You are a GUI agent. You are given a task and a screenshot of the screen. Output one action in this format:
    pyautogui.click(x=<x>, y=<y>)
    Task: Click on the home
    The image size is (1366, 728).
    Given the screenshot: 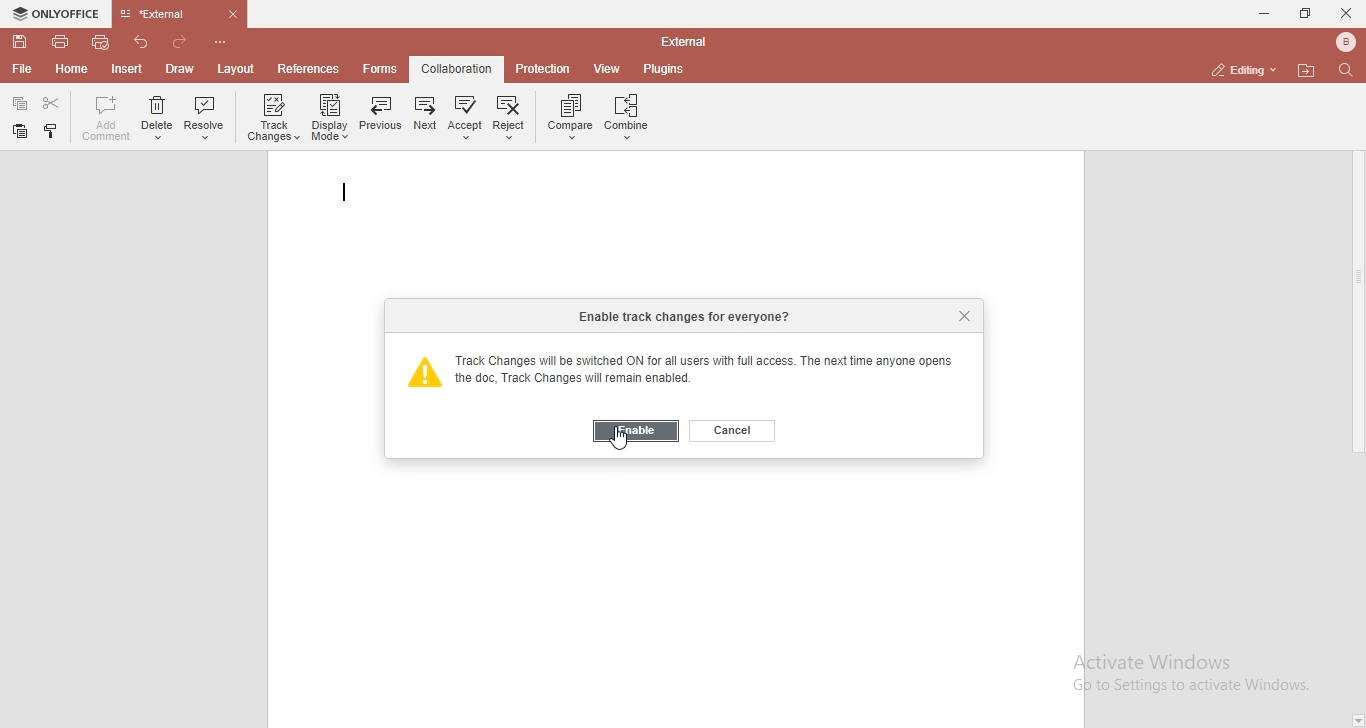 What is the action you would take?
    pyautogui.click(x=72, y=70)
    